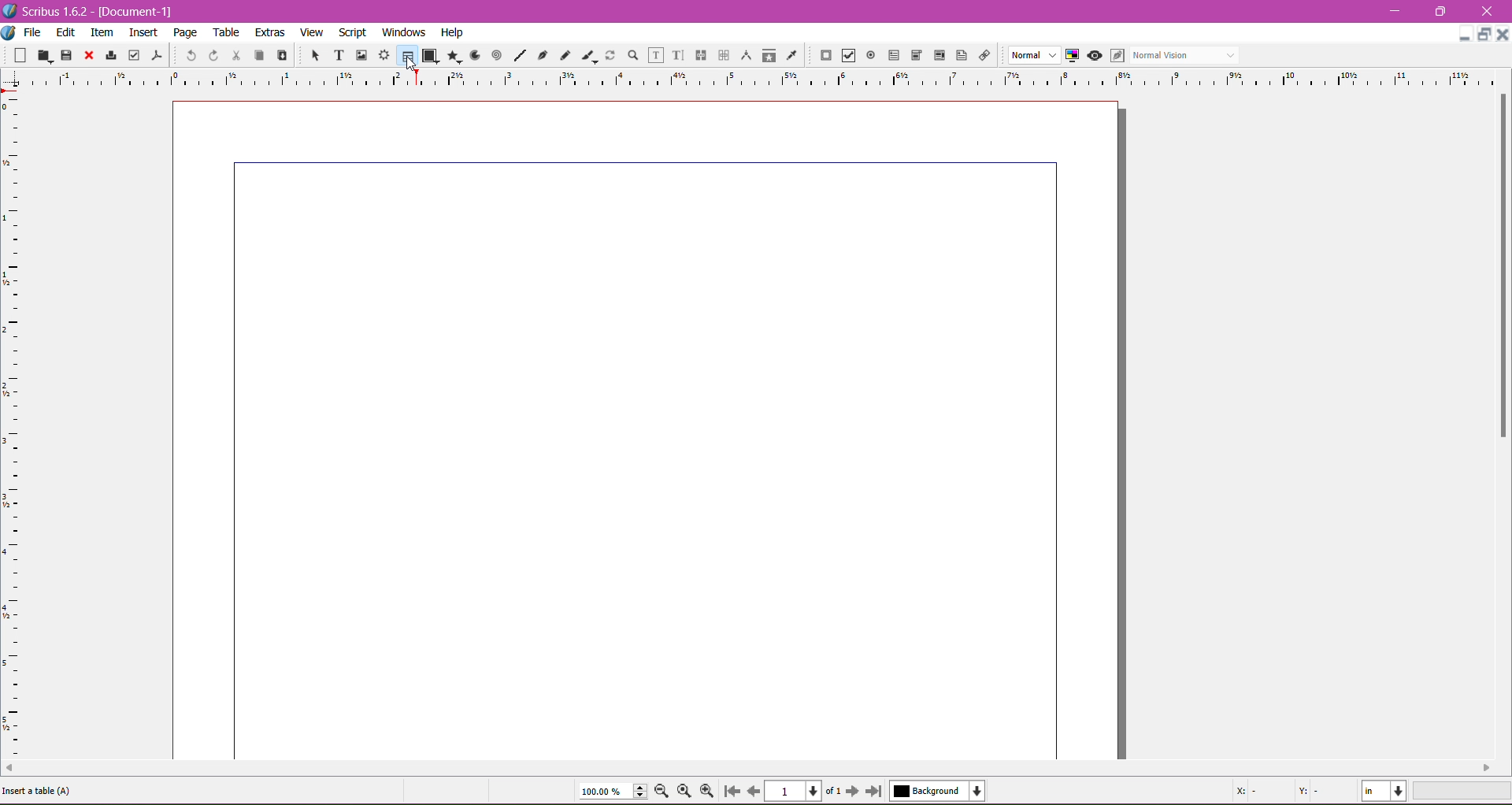 This screenshot has height=805, width=1512. I want to click on Windows, so click(402, 32).